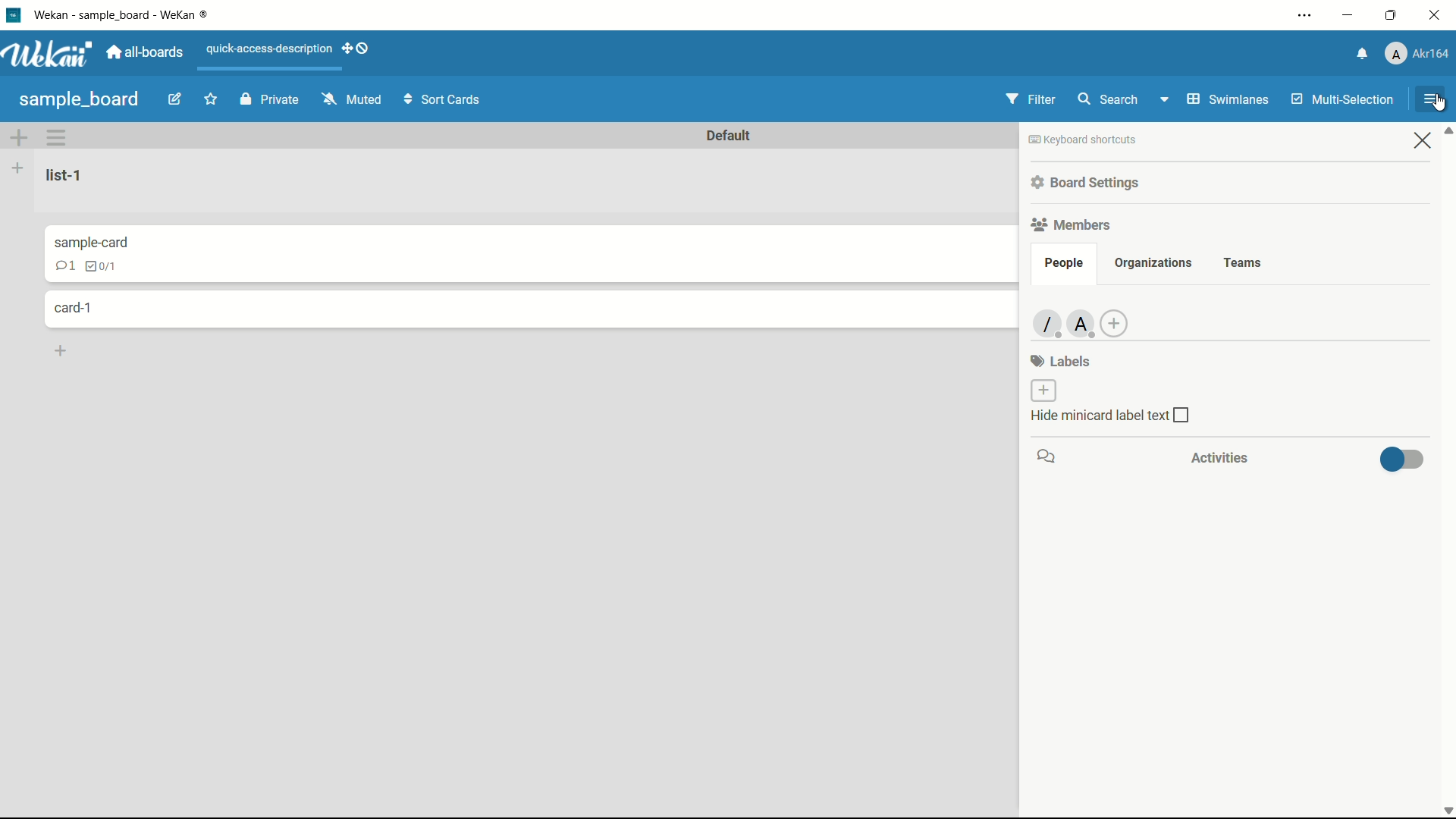  What do you see at coordinates (1437, 15) in the screenshot?
I see `close app` at bounding box center [1437, 15].